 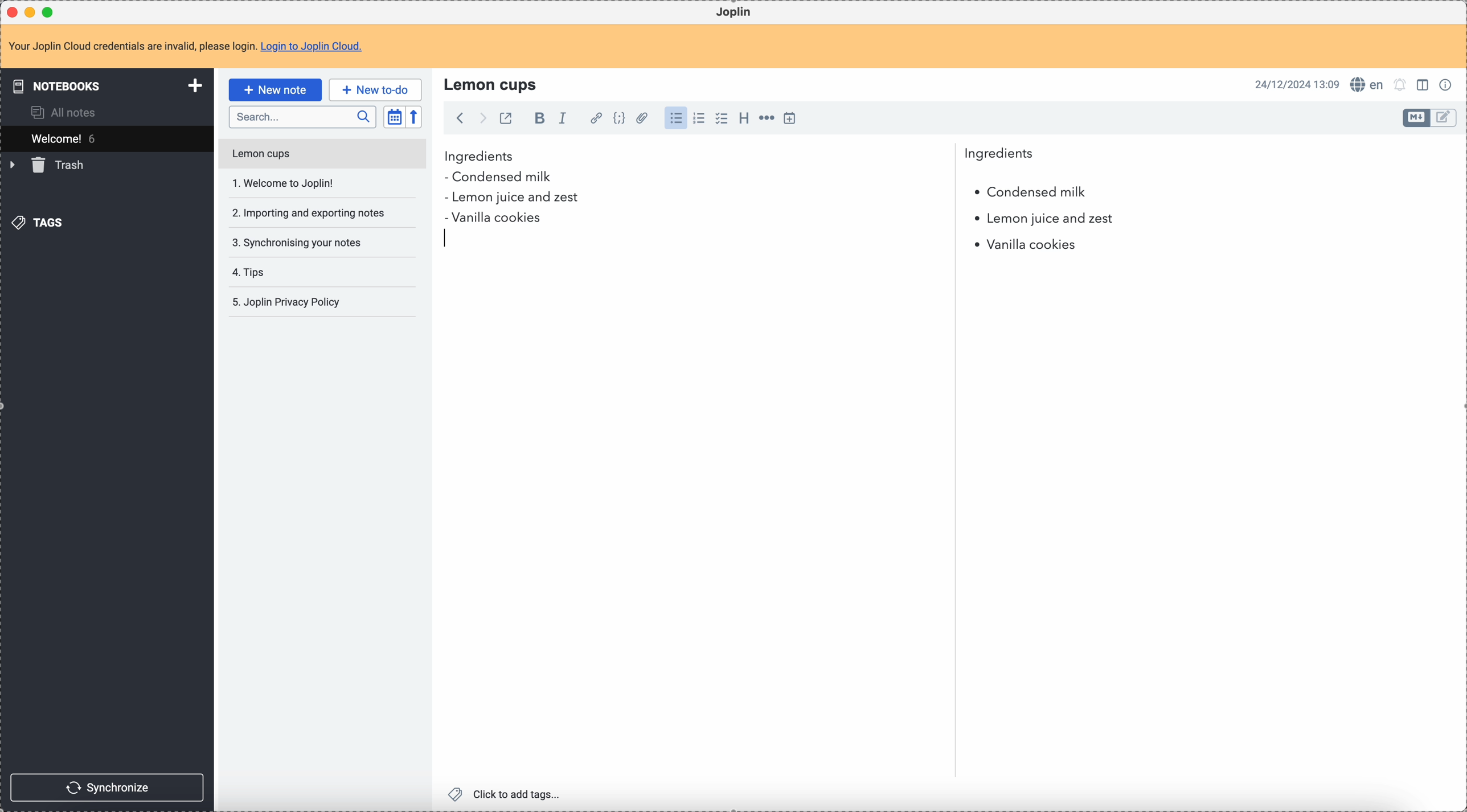 I want to click on tags, so click(x=40, y=222).